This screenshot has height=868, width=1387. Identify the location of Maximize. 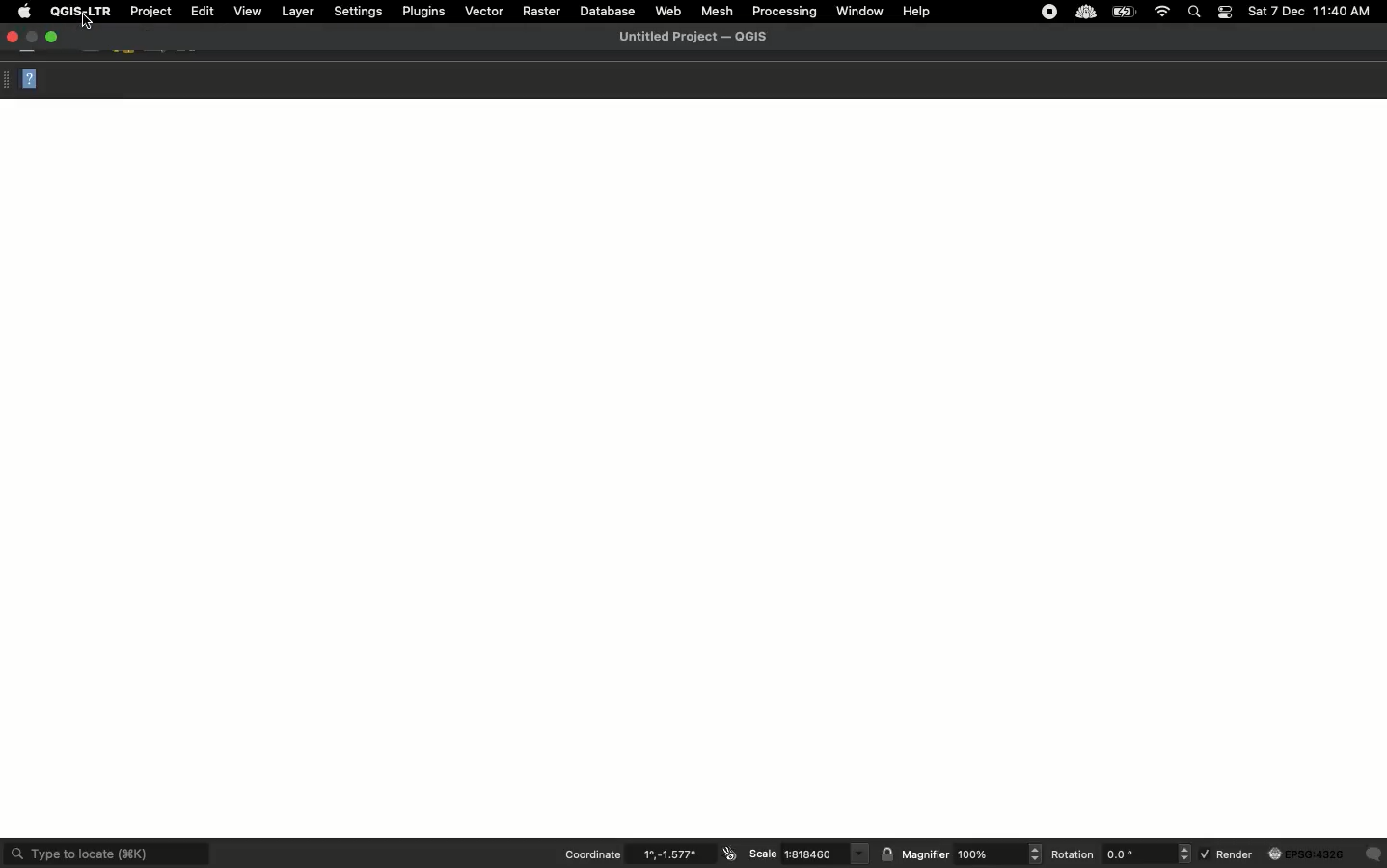
(55, 35).